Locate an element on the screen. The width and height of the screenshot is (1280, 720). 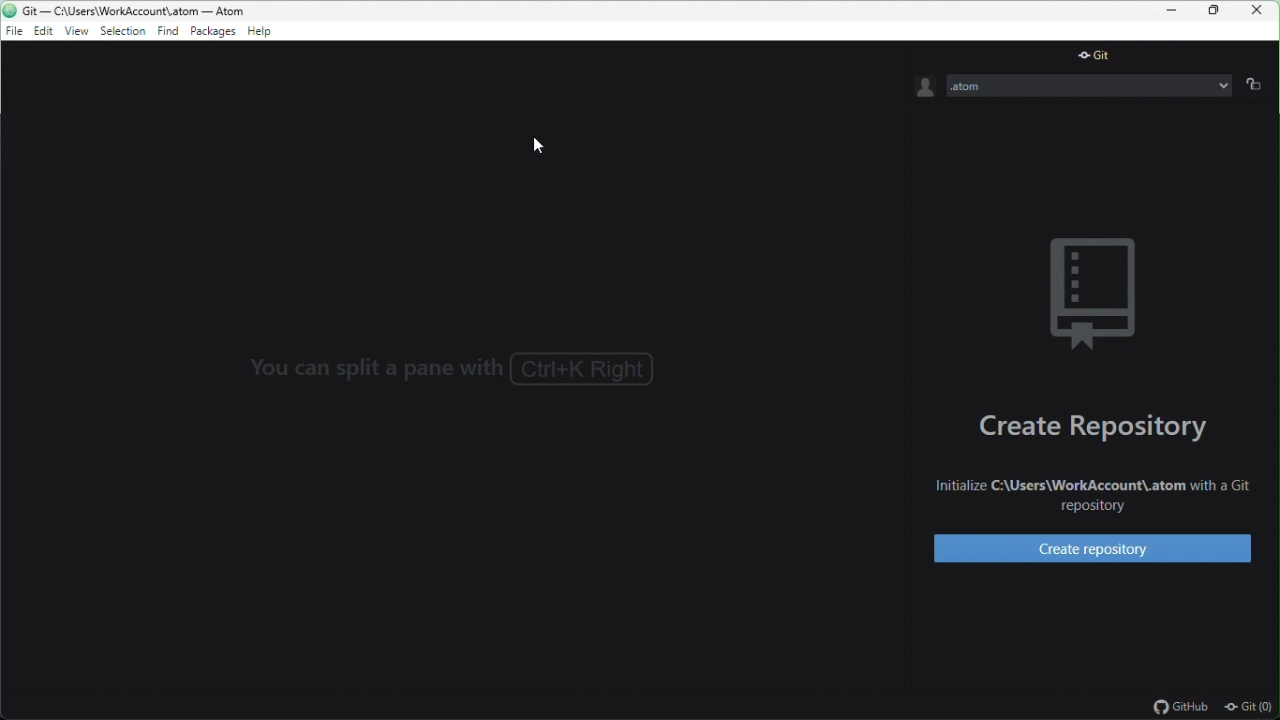
minimize is located at coordinates (1177, 11).